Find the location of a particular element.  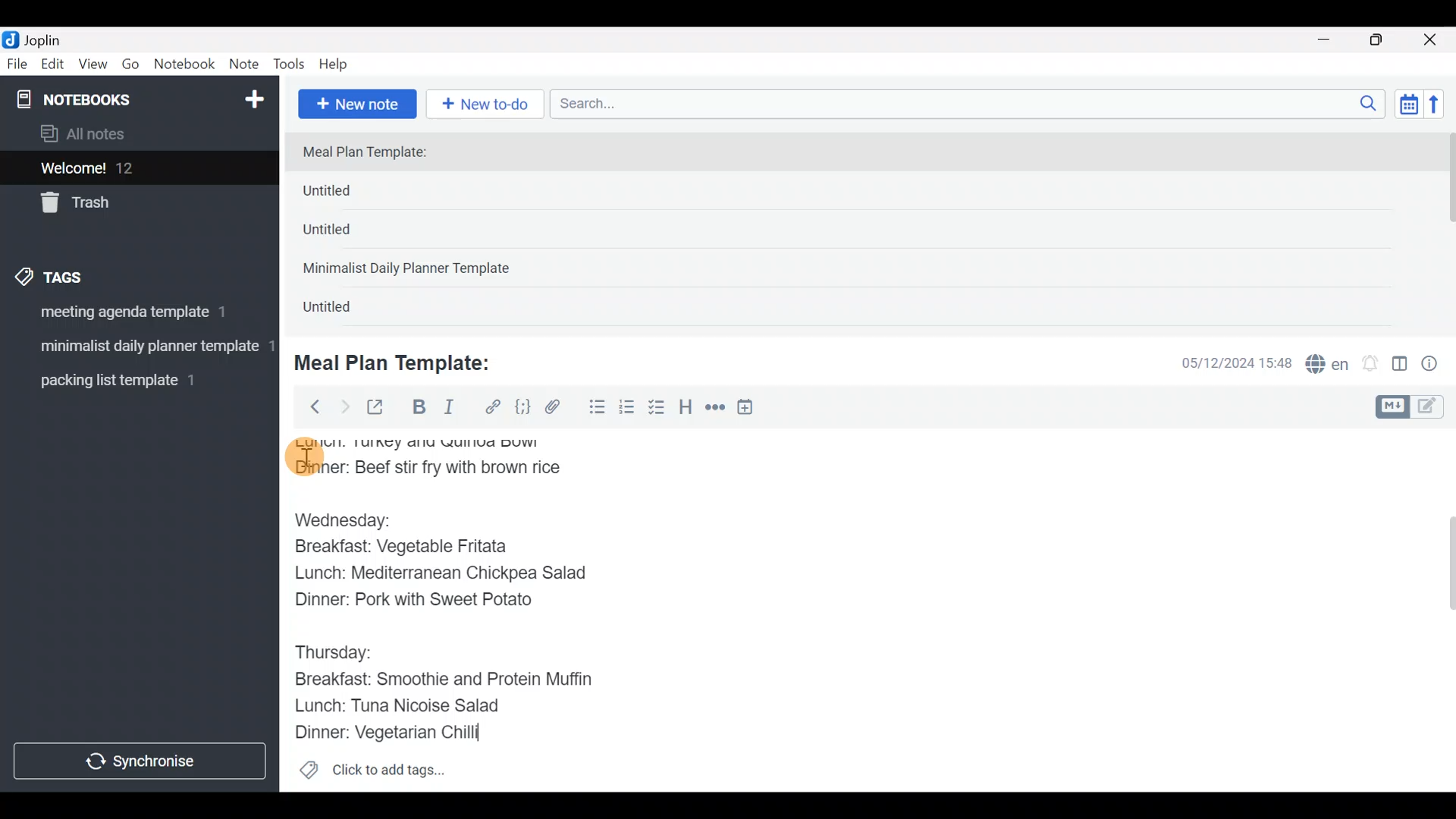

Notebooks is located at coordinates (107, 99).